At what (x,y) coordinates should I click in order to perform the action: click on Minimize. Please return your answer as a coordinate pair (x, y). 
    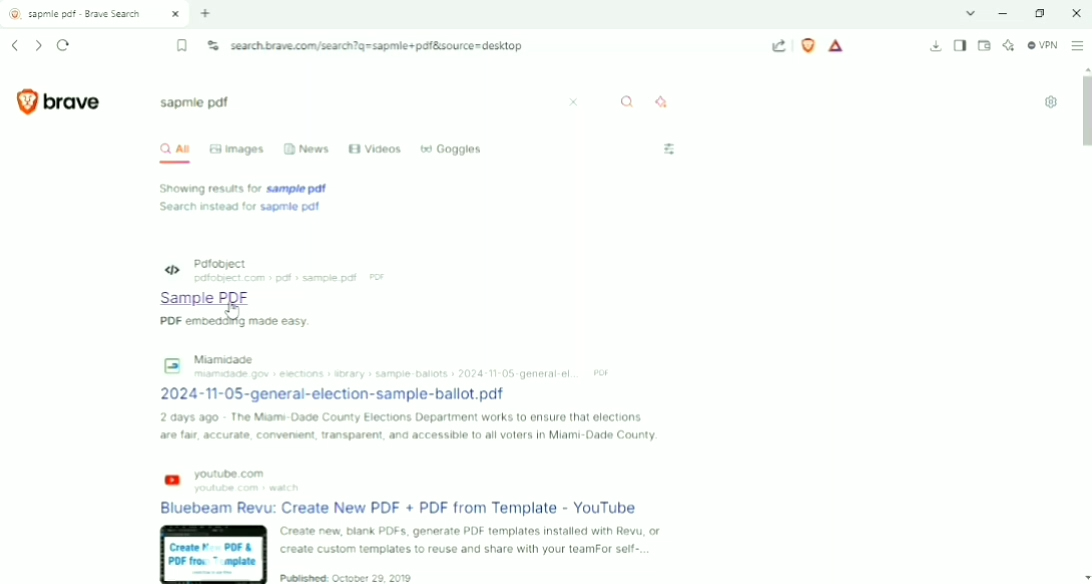
    Looking at the image, I should click on (1006, 13).